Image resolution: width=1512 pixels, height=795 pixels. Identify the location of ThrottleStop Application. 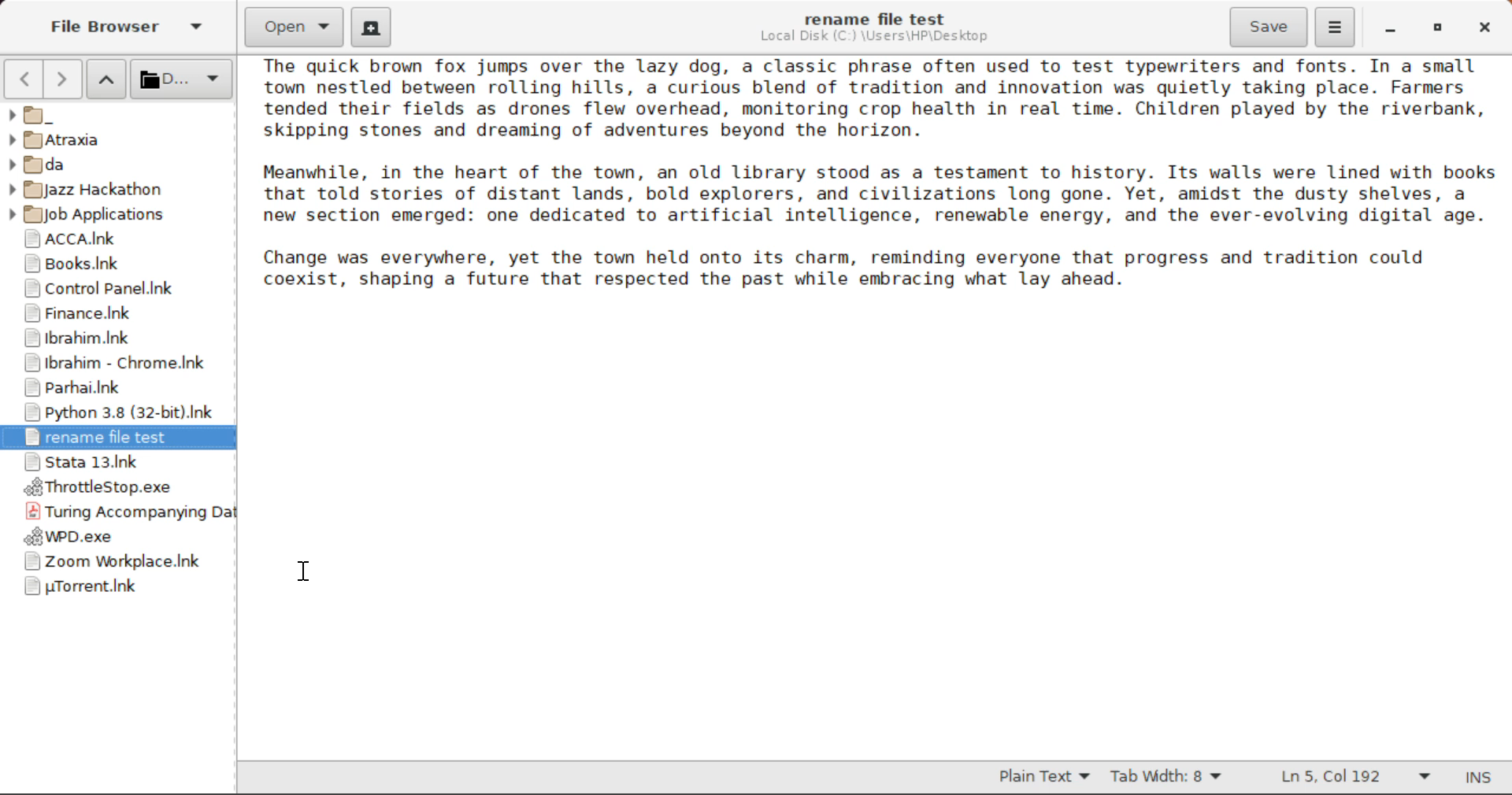
(113, 488).